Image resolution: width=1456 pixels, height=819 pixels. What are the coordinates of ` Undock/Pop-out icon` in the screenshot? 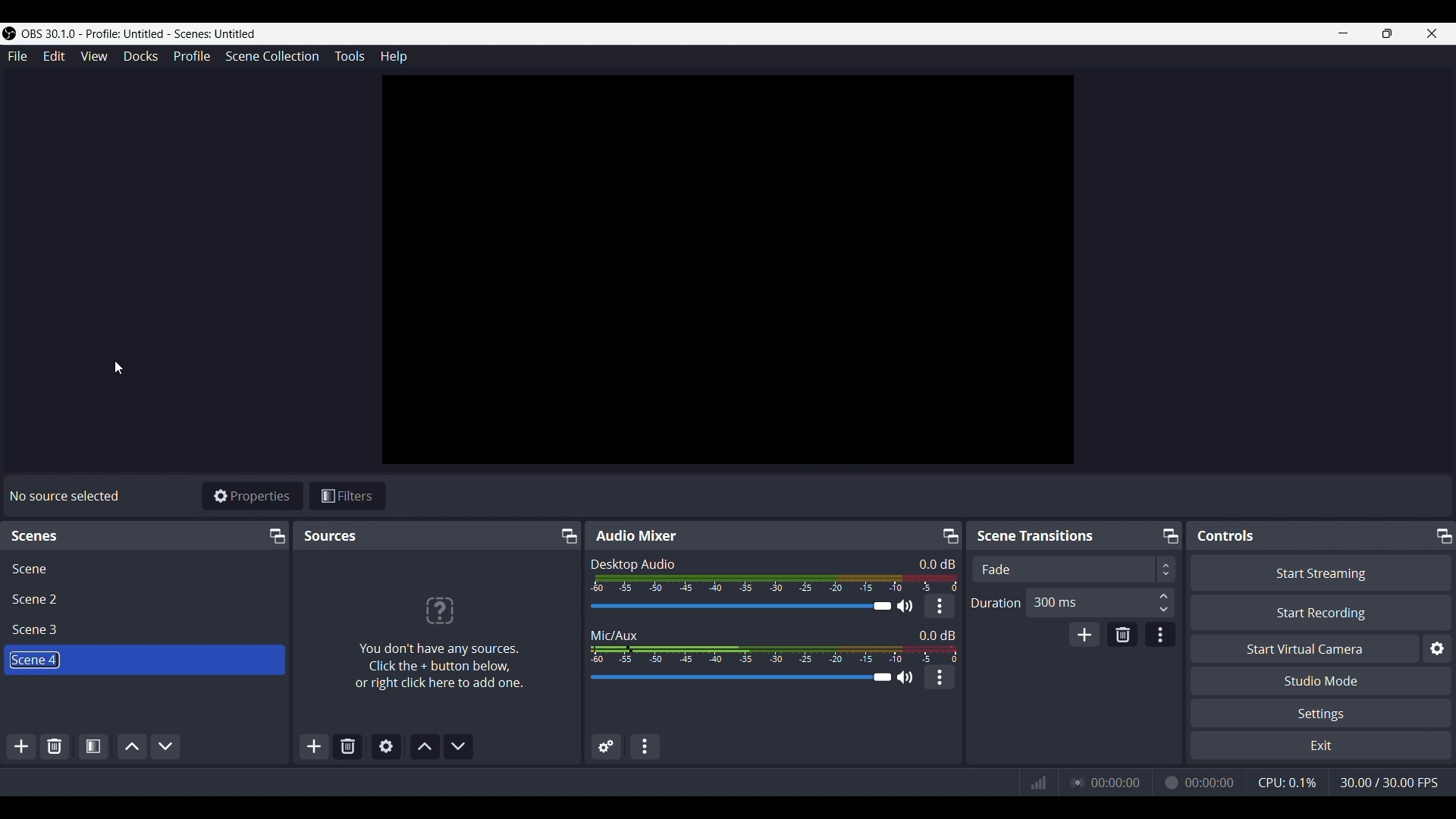 It's located at (1169, 535).